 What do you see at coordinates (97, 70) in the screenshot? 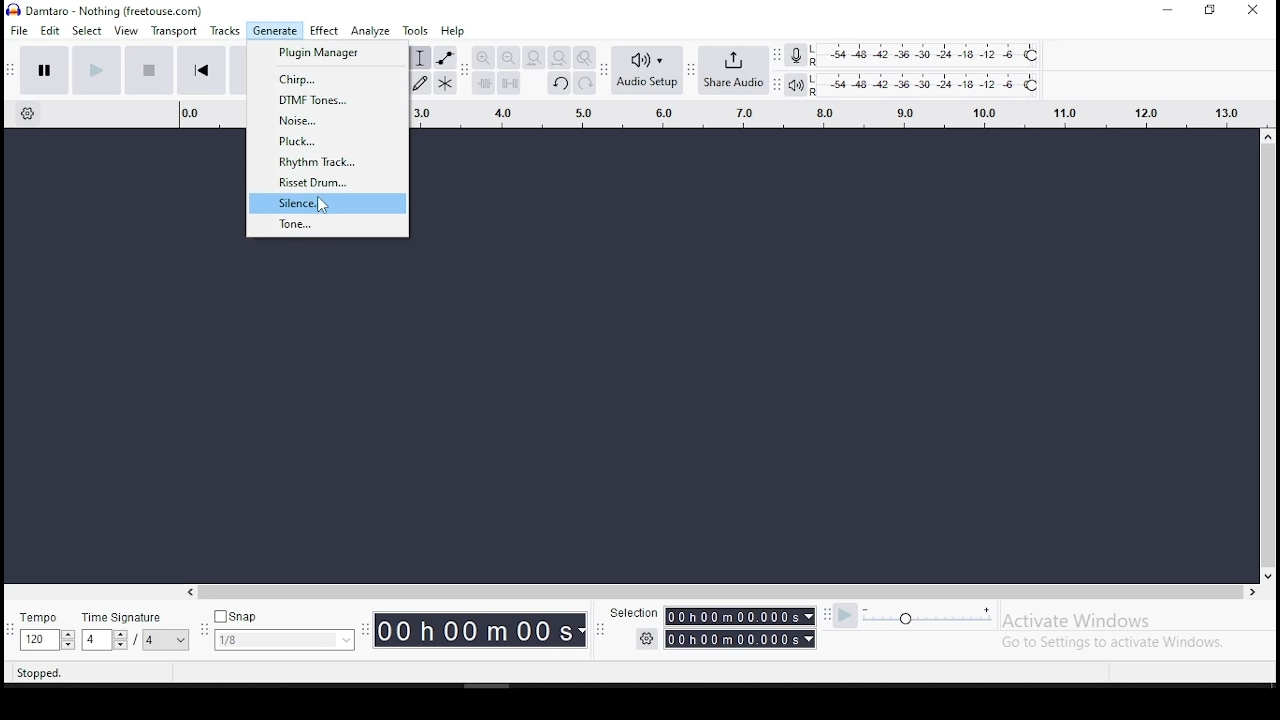
I see `play` at bounding box center [97, 70].